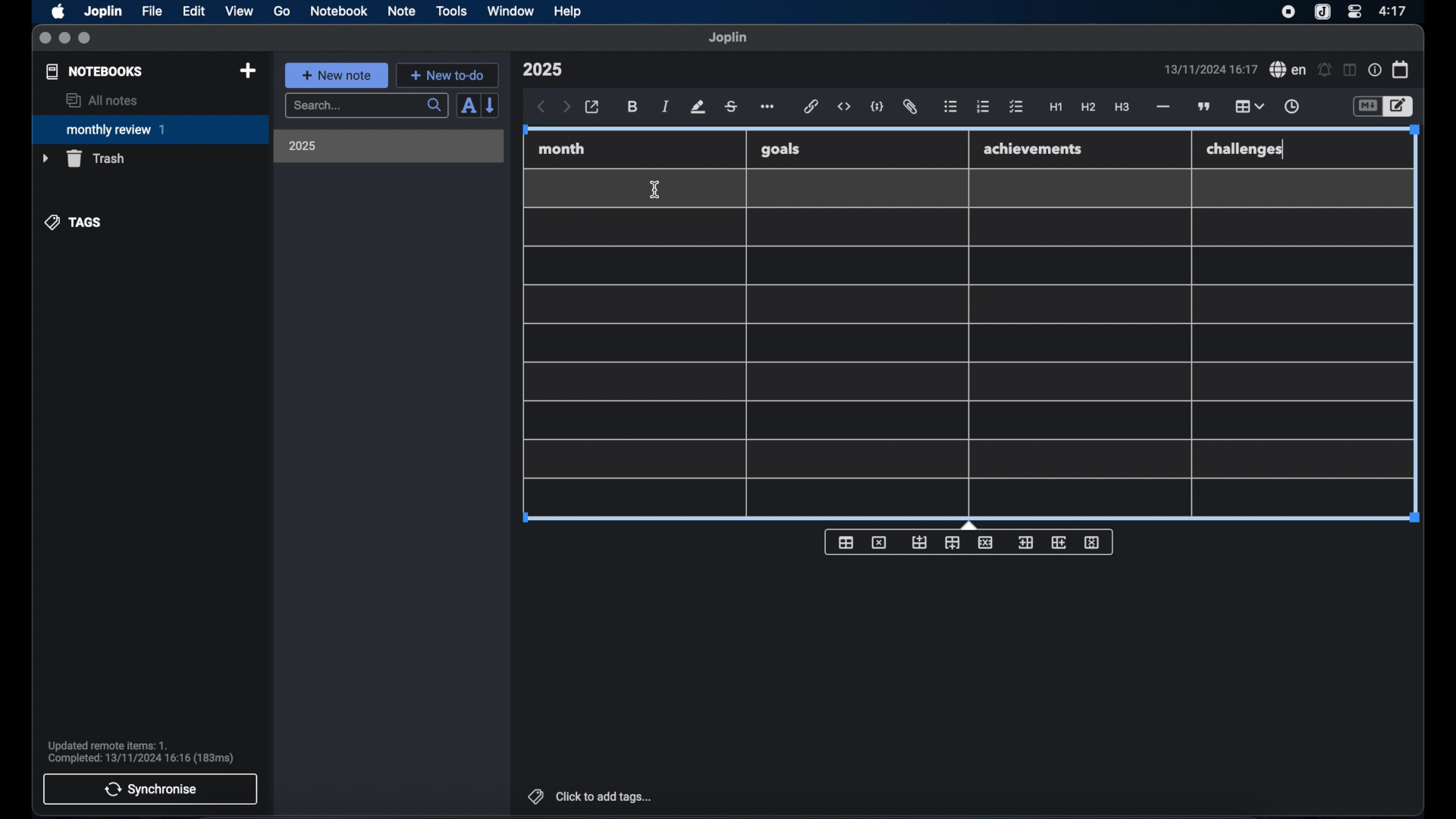 Image resolution: width=1456 pixels, height=819 pixels. Describe the element at coordinates (728, 37) in the screenshot. I see `joplin` at that location.